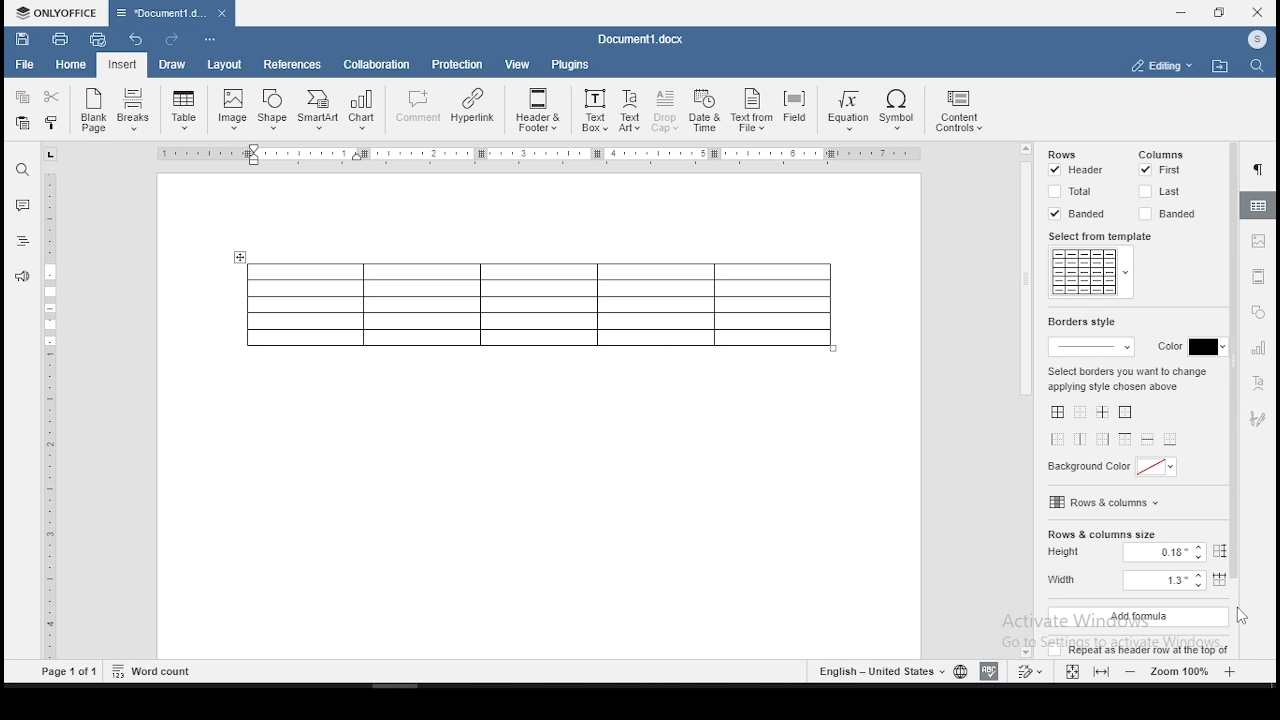 Image resolution: width=1280 pixels, height=720 pixels. What do you see at coordinates (361, 112) in the screenshot?
I see `Chart` at bounding box center [361, 112].